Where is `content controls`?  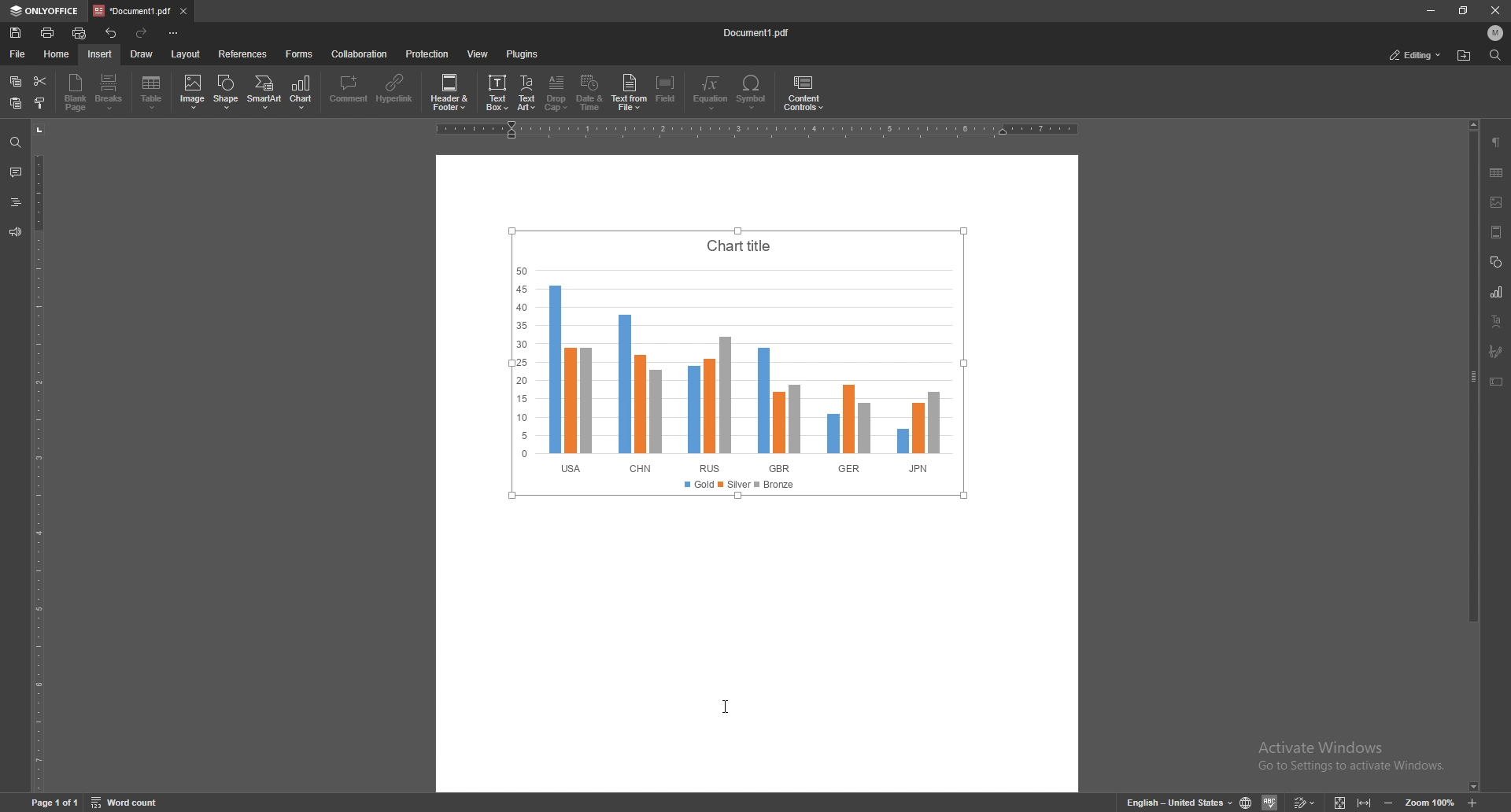
content controls is located at coordinates (806, 92).